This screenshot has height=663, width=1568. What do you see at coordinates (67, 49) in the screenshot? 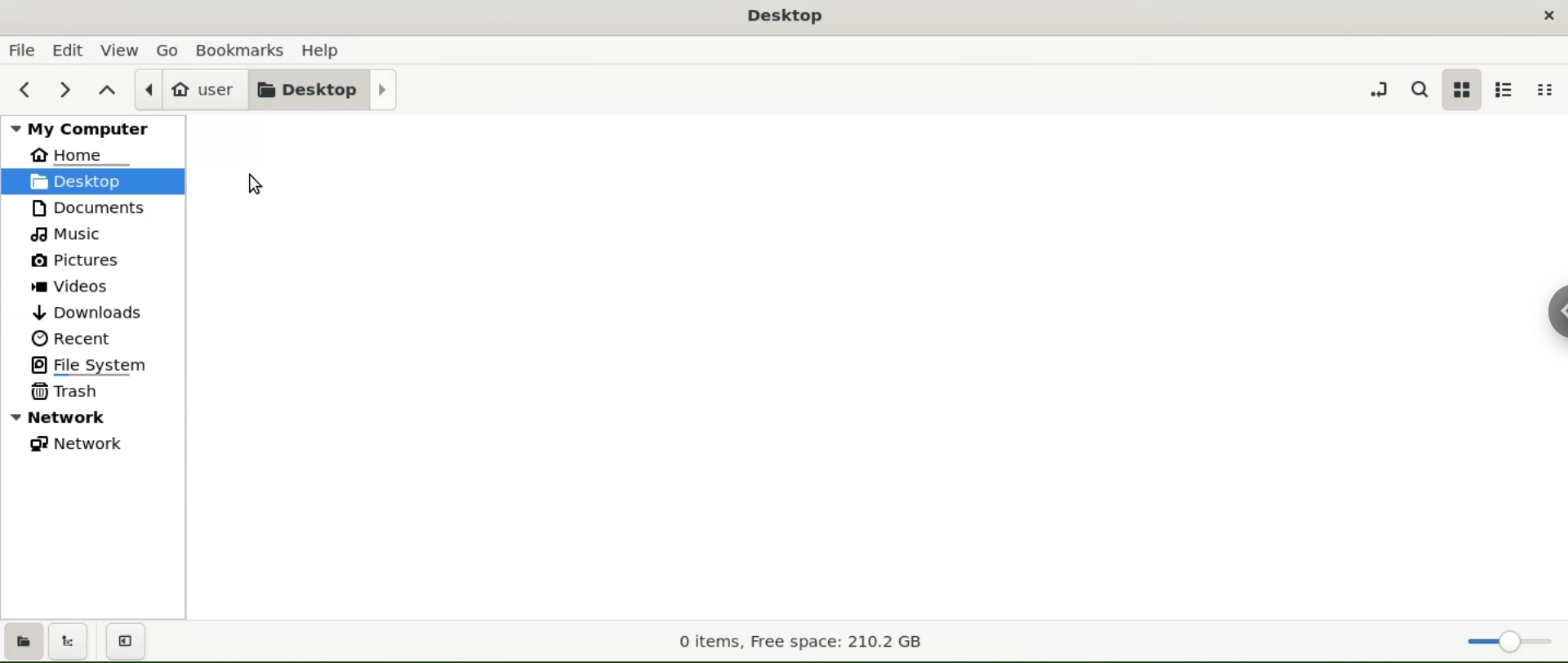
I see `edit` at bounding box center [67, 49].